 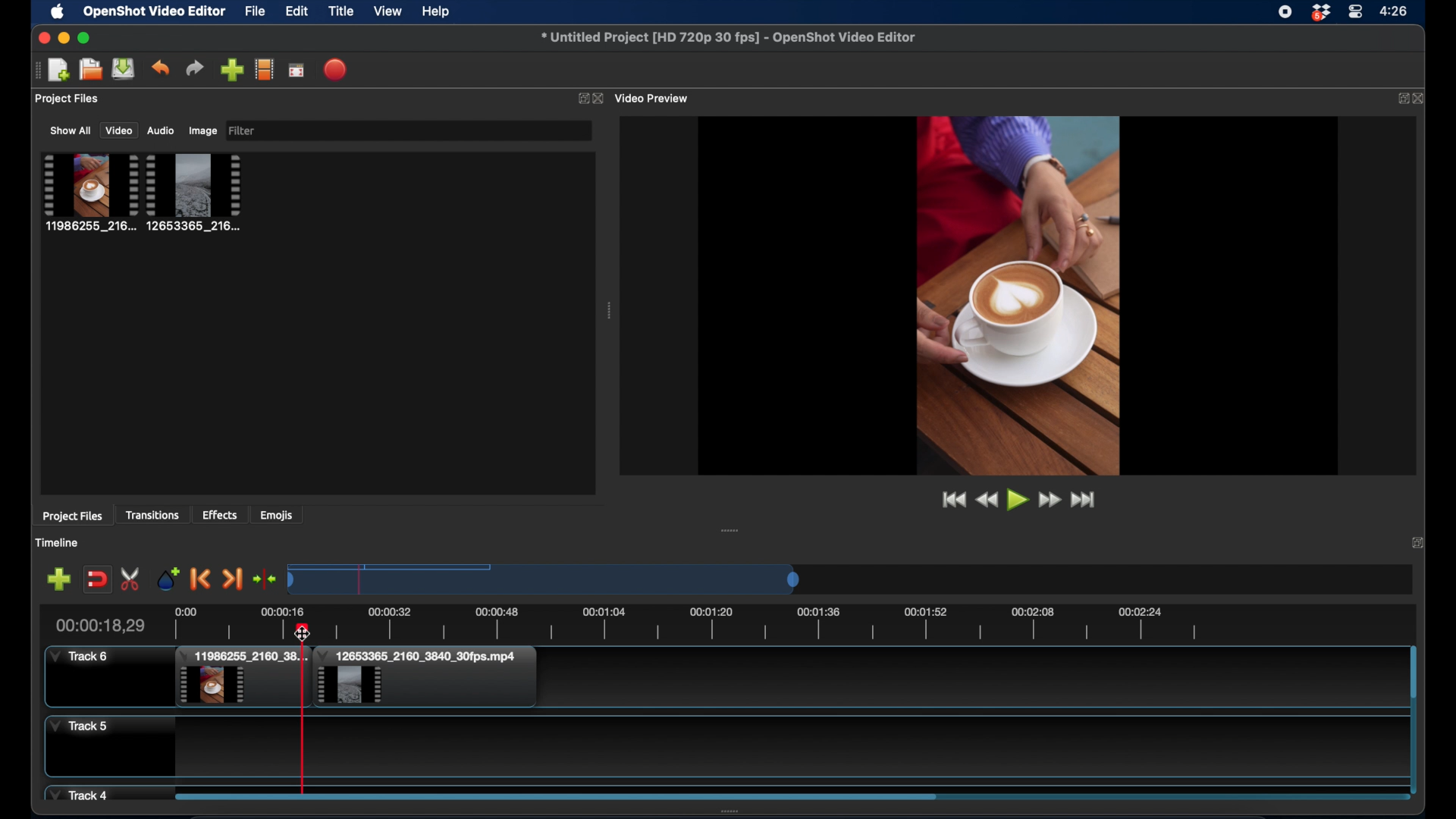 I want to click on transitions, so click(x=154, y=515).